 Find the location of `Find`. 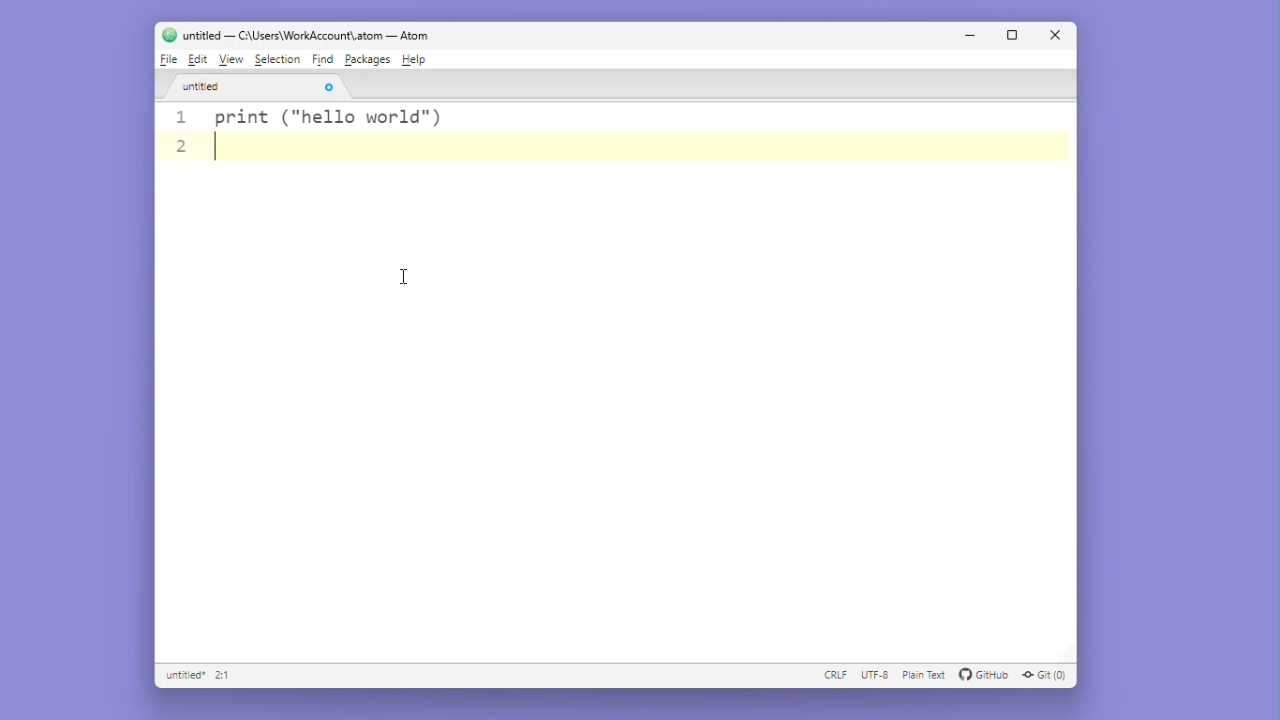

Find is located at coordinates (325, 60).